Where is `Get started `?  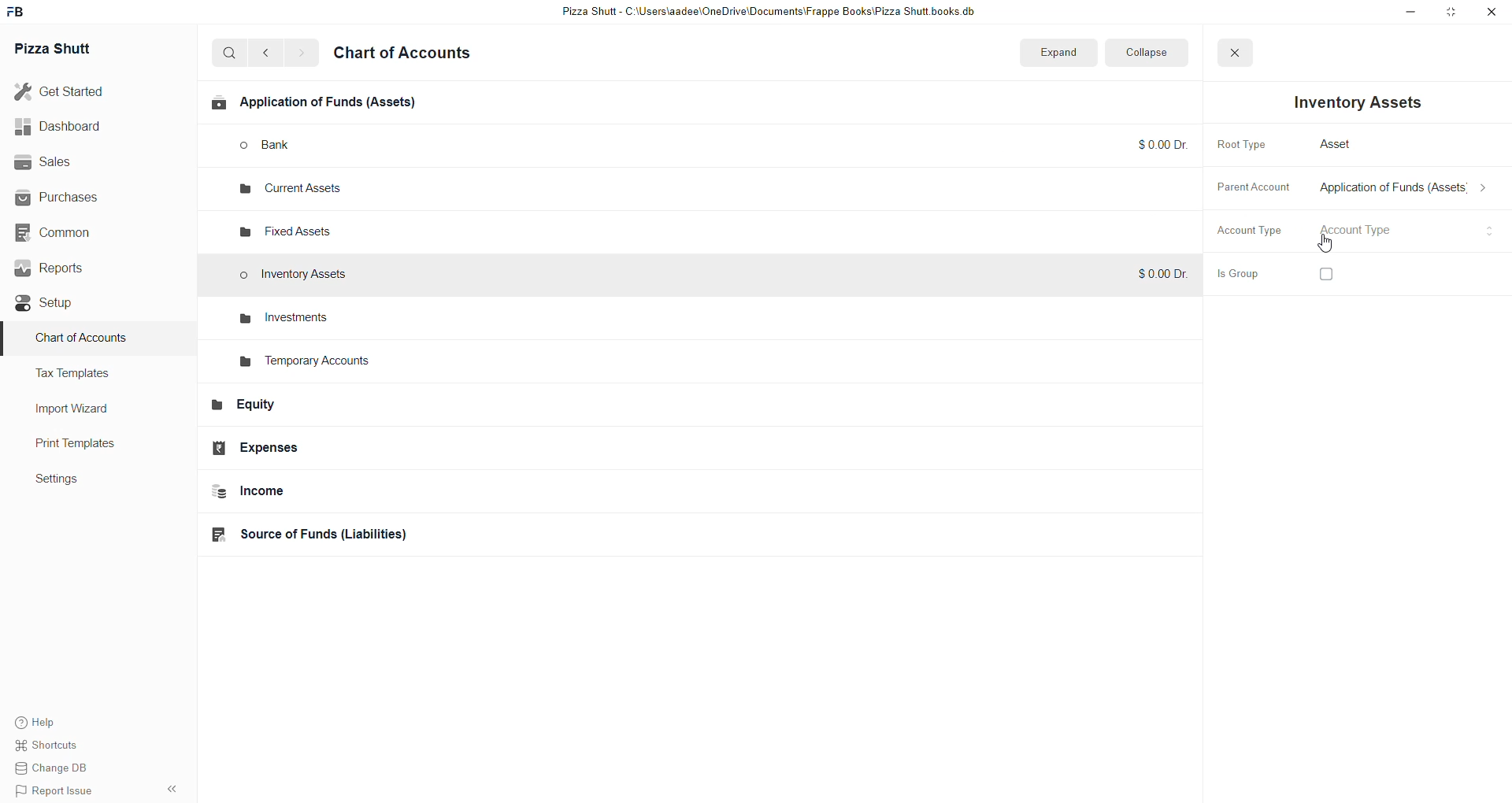
Get started  is located at coordinates (69, 91).